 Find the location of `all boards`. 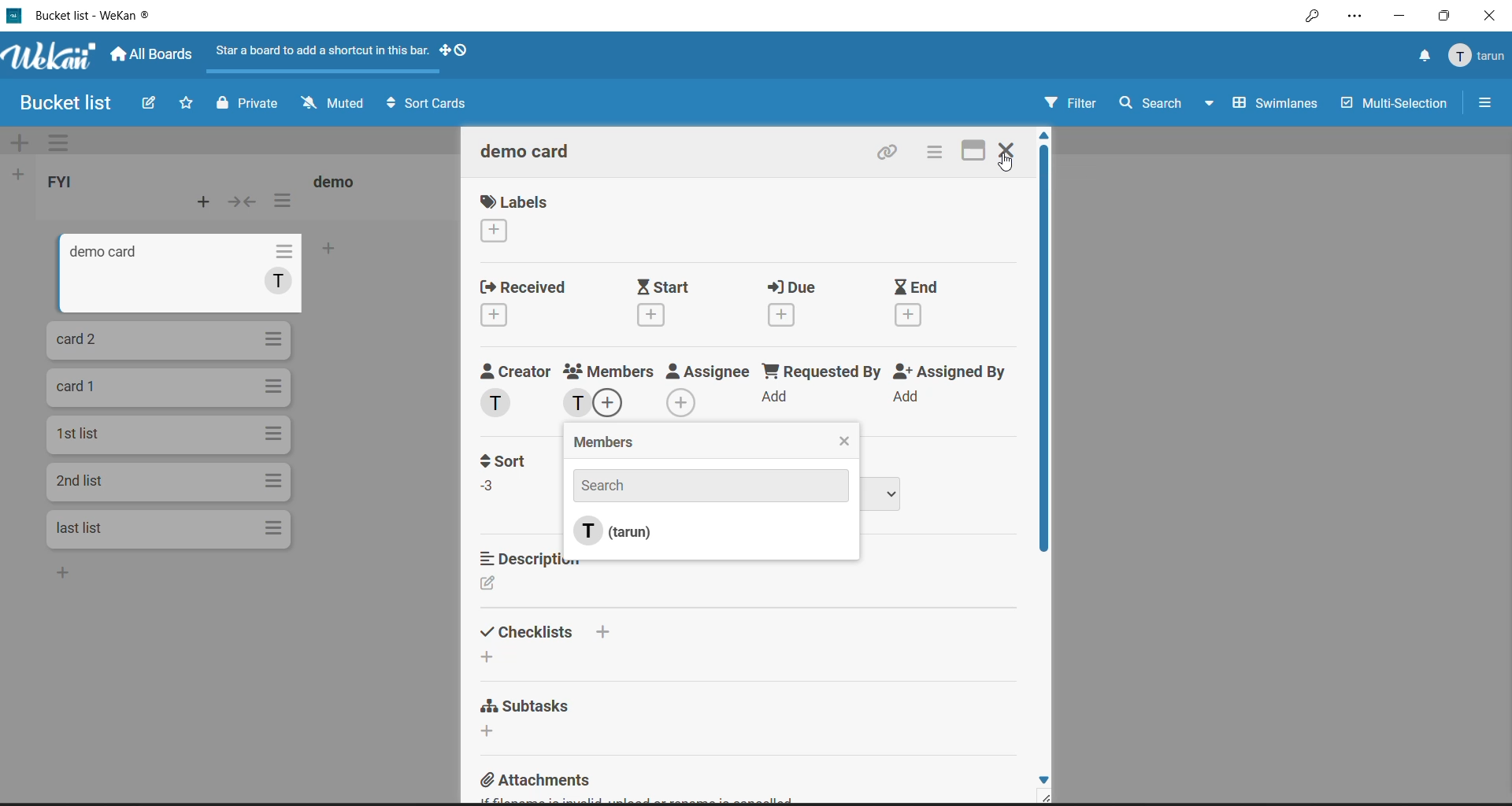

all boards is located at coordinates (154, 54).